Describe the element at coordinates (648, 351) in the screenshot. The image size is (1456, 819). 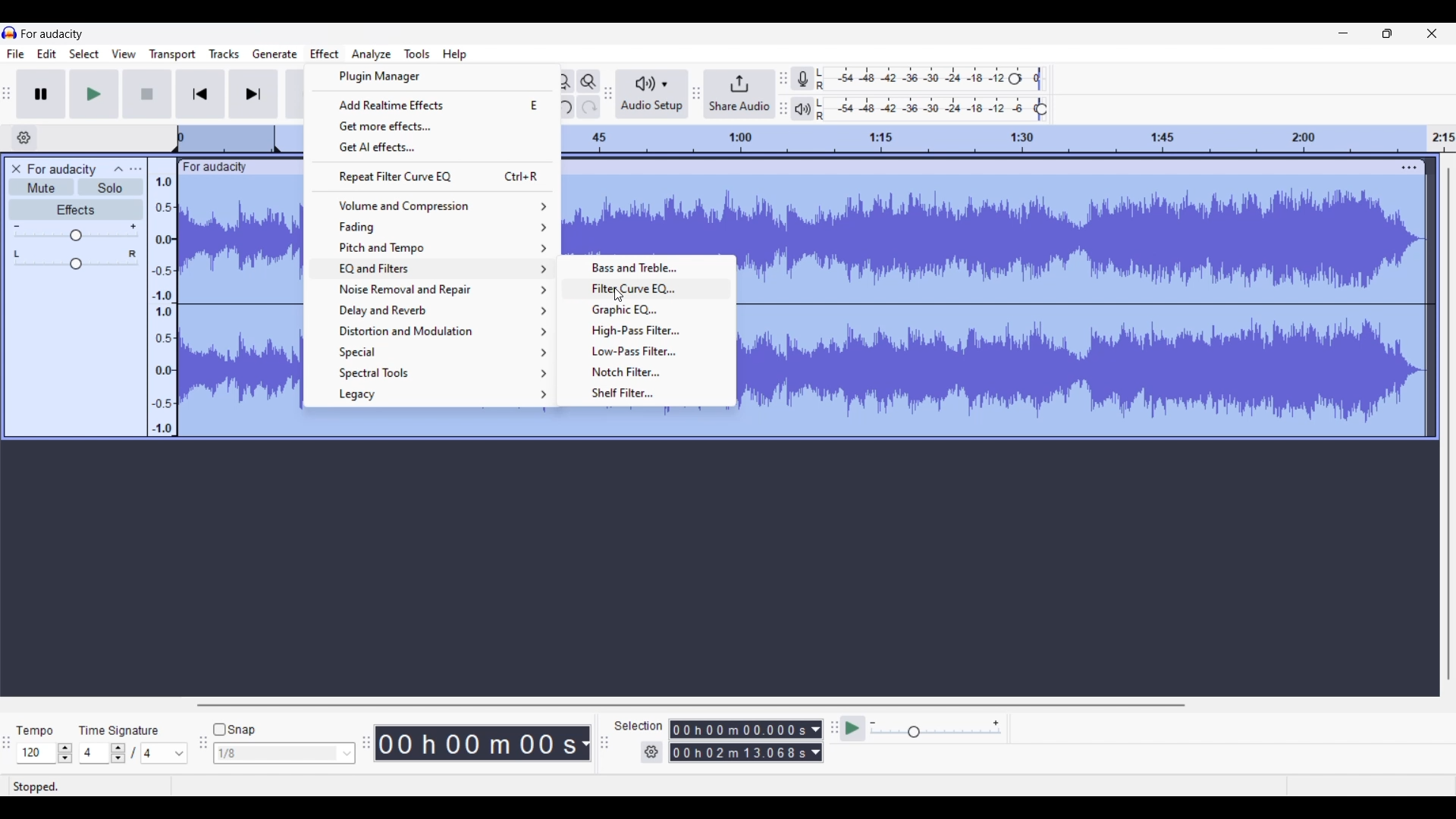
I see `Low pass filter` at that location.